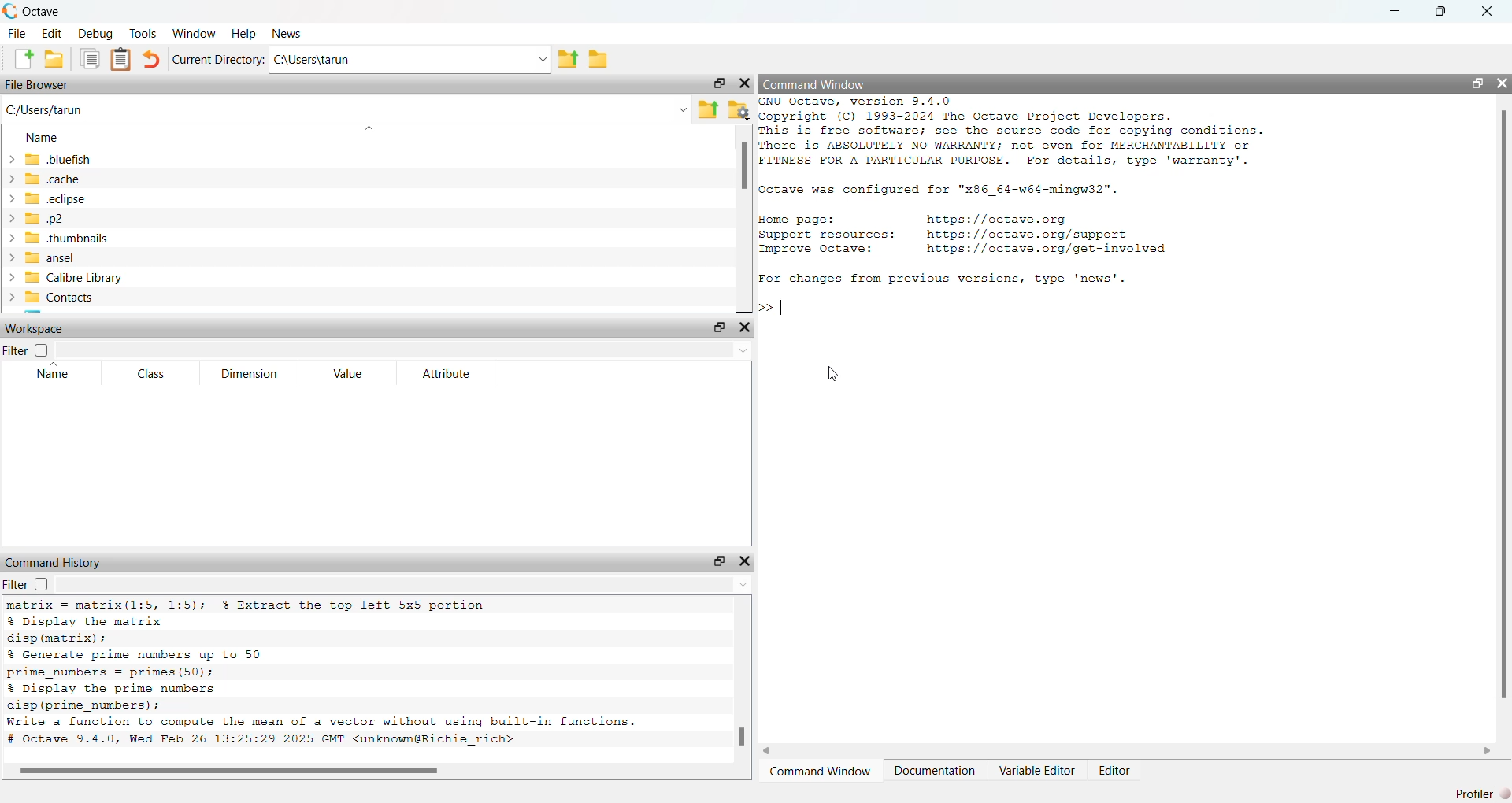 The width and height of the screenshot is (1512, 803). What do you see at coordinates (940, 191) in the screenshot?
I see `Octave was configured for "x86_64-w64-mingw32".` at bounding box center [940, 191].